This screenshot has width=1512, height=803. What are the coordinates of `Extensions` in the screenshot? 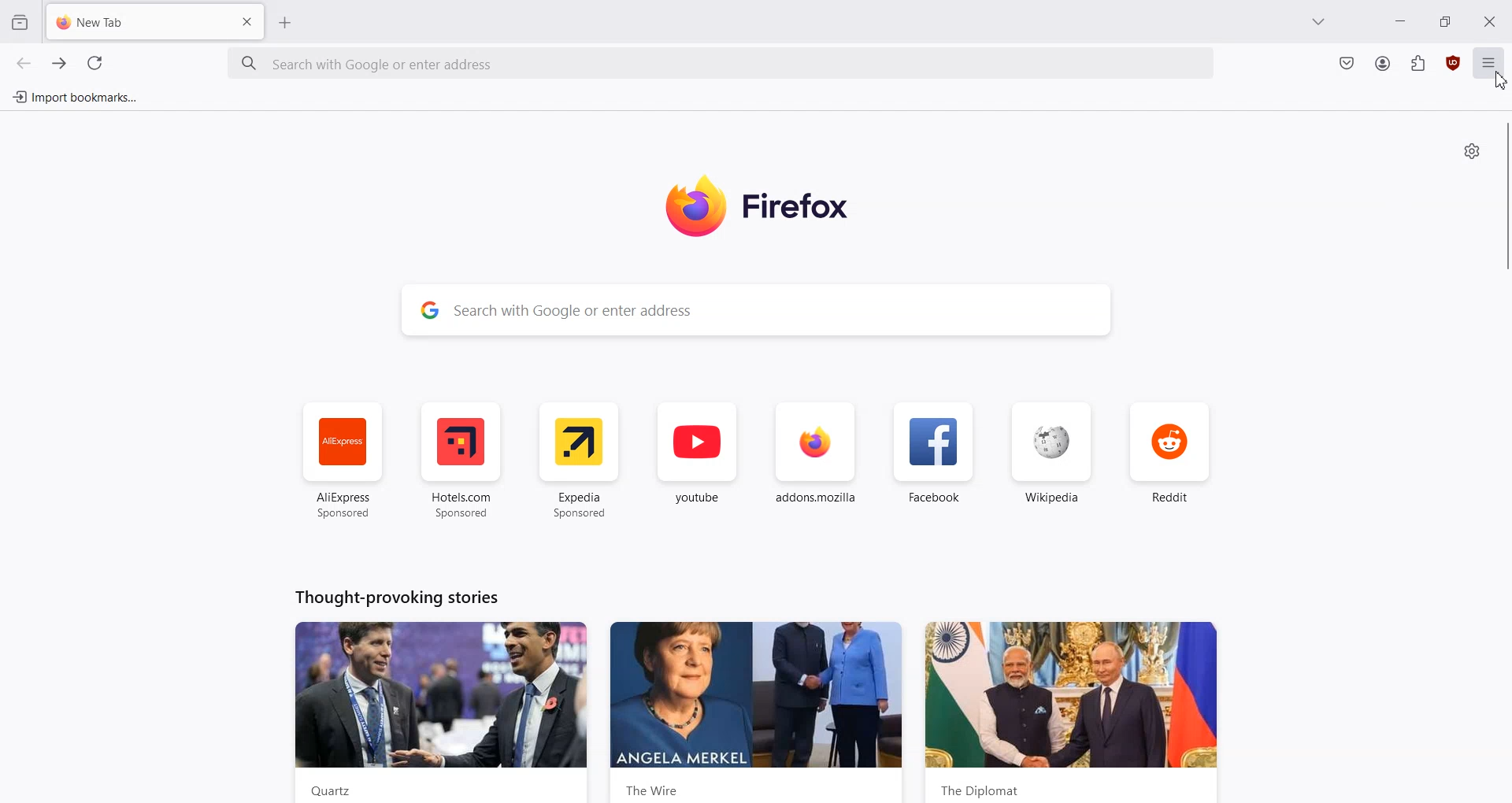 It's located at (1418, 64).